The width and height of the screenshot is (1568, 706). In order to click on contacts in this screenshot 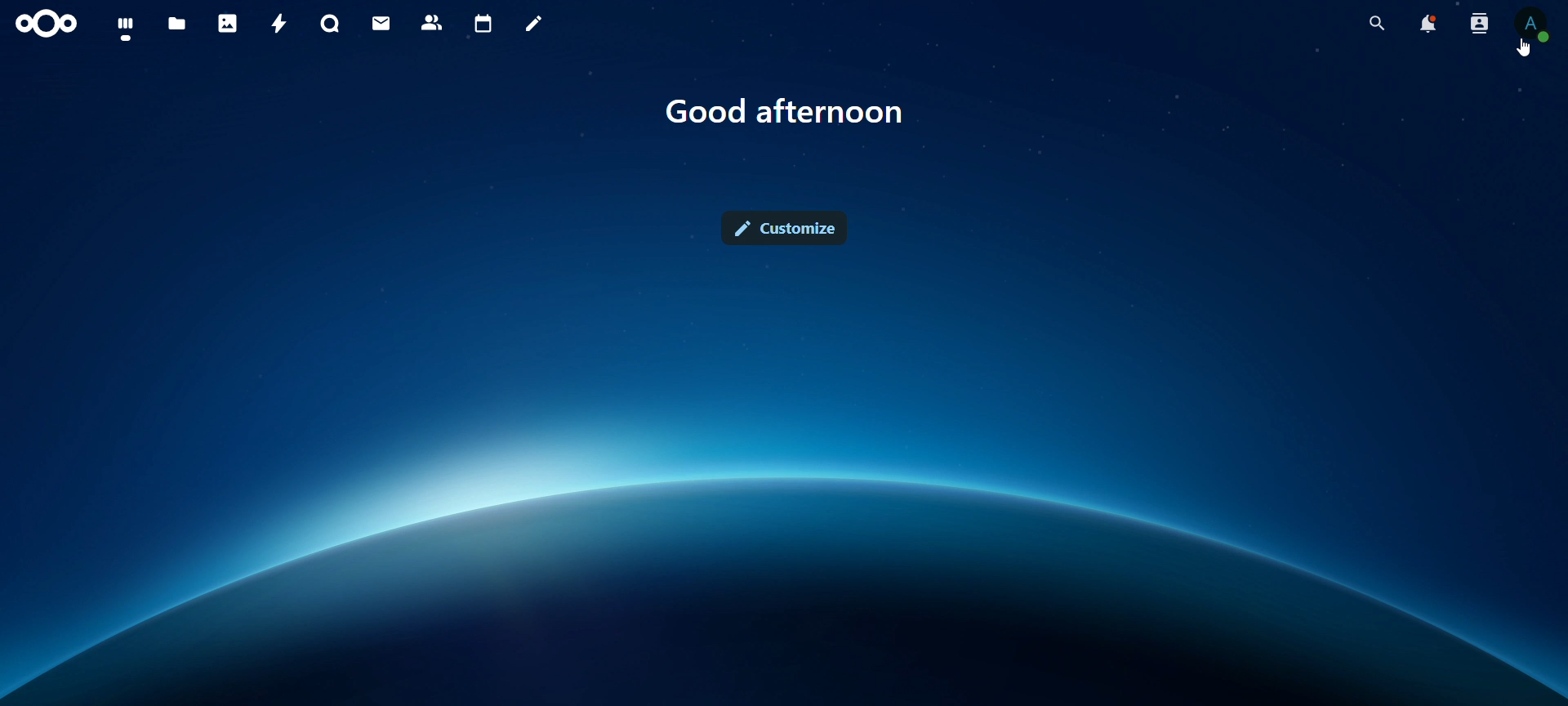, I will do `click(431, 22)`.